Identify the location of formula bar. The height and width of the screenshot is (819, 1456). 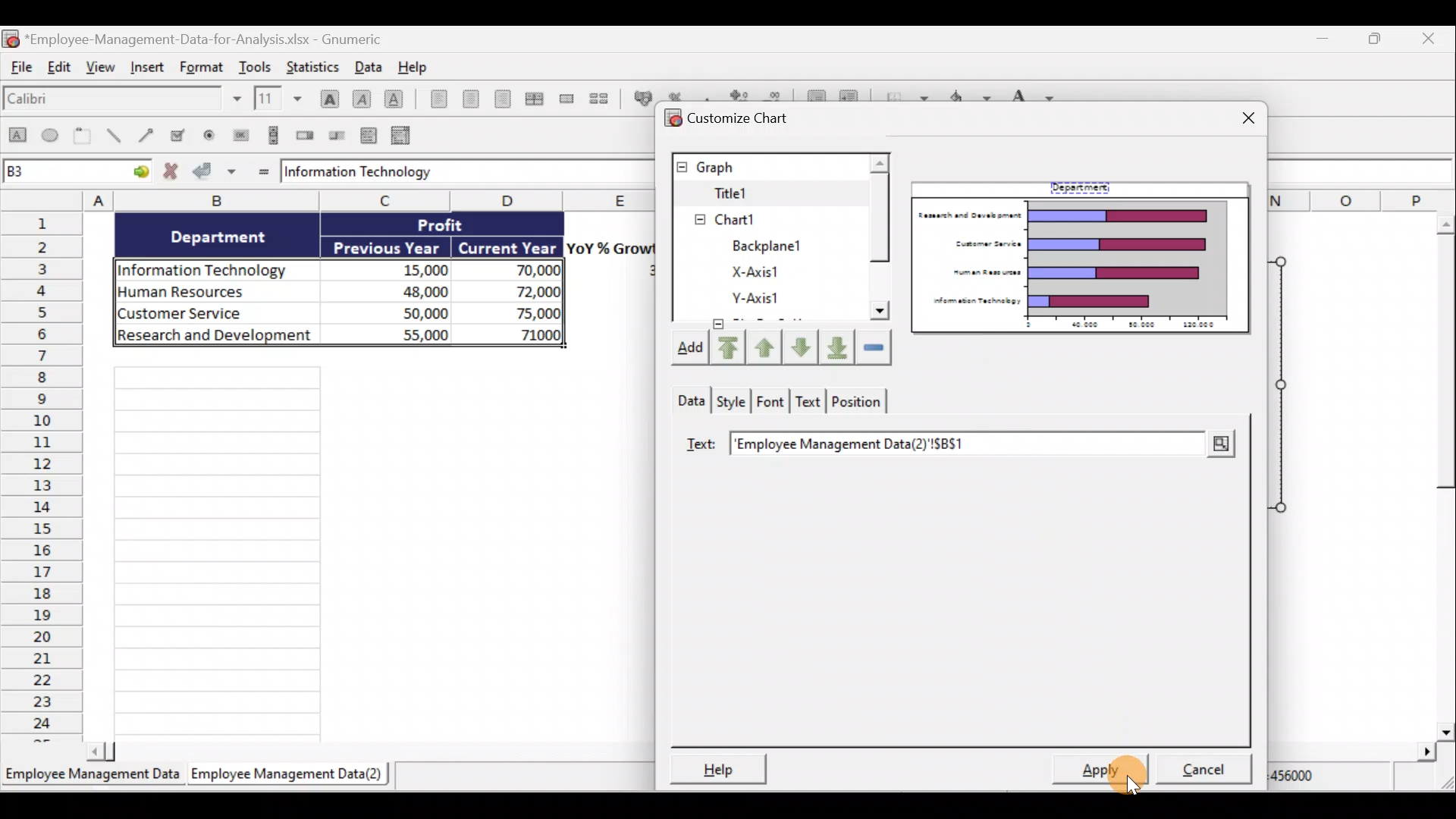
(454, 171).